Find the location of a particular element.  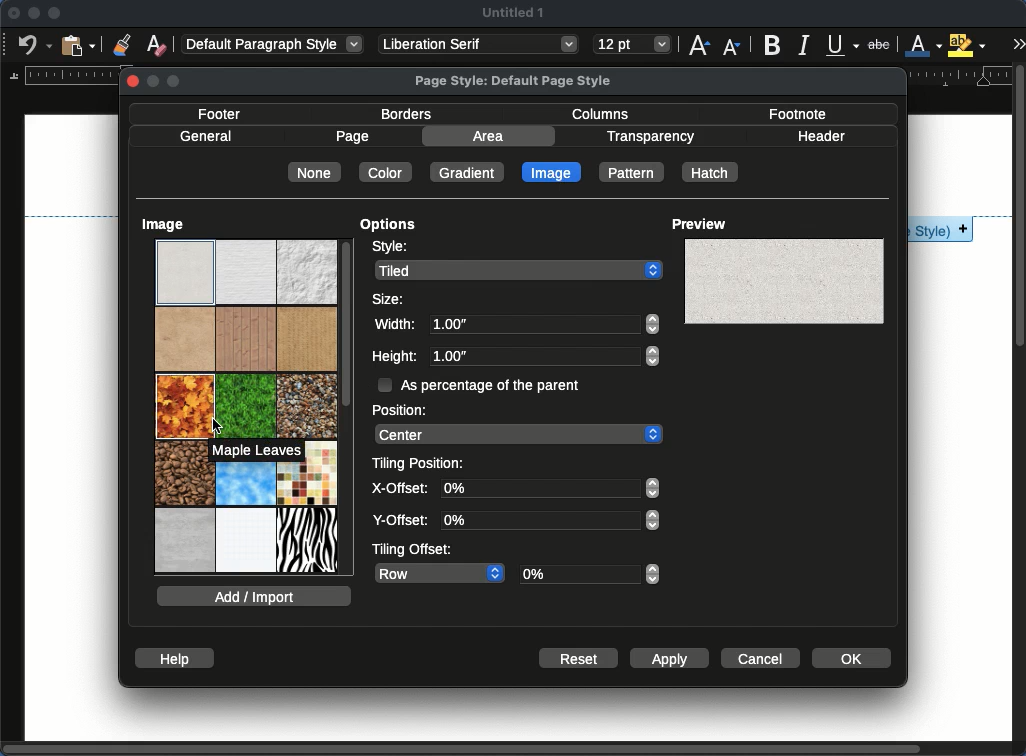

hatch is located at coordinates (711, 171).